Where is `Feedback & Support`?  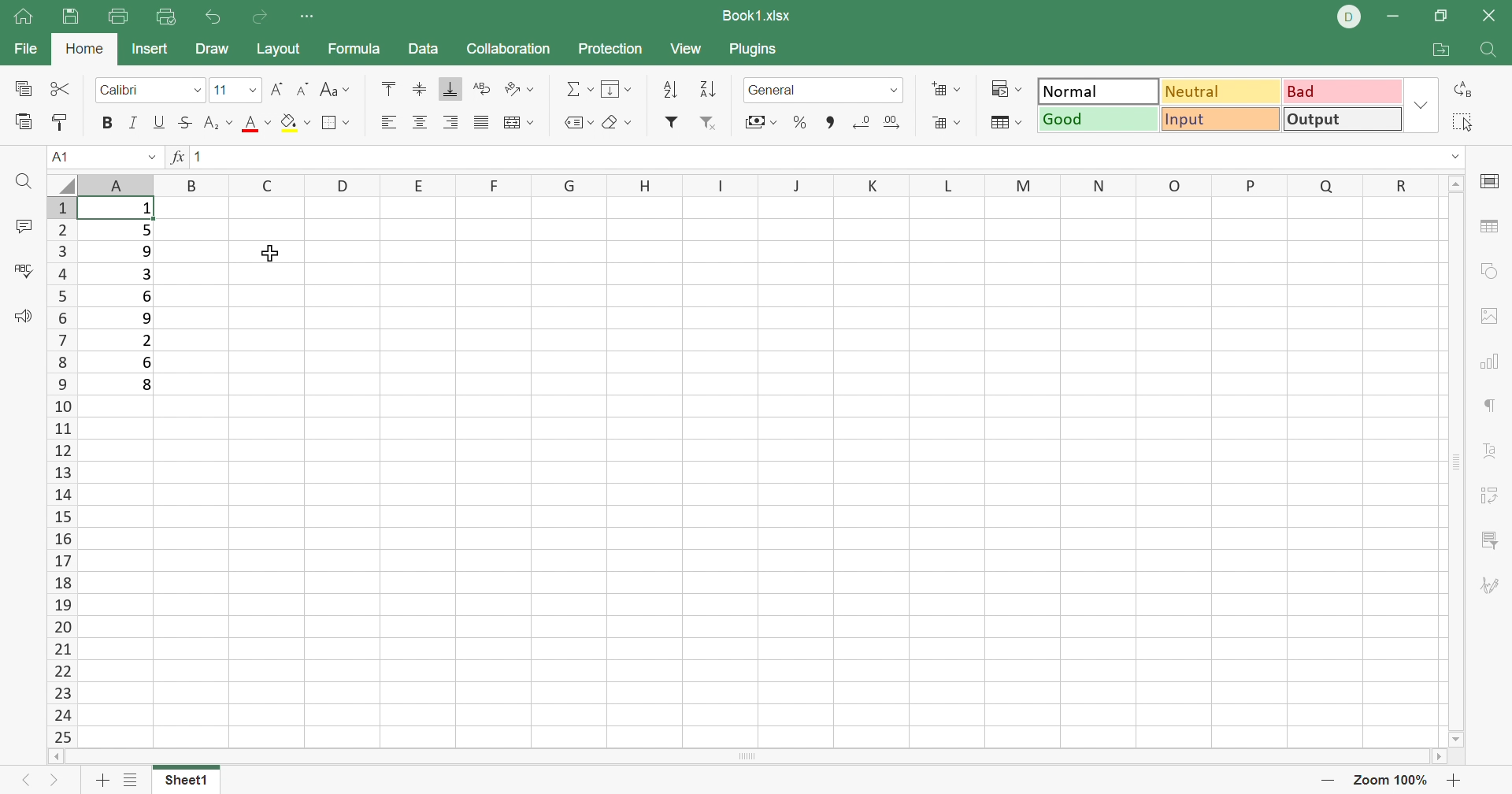 Feedback & Support is located at coordinates (24, 316).